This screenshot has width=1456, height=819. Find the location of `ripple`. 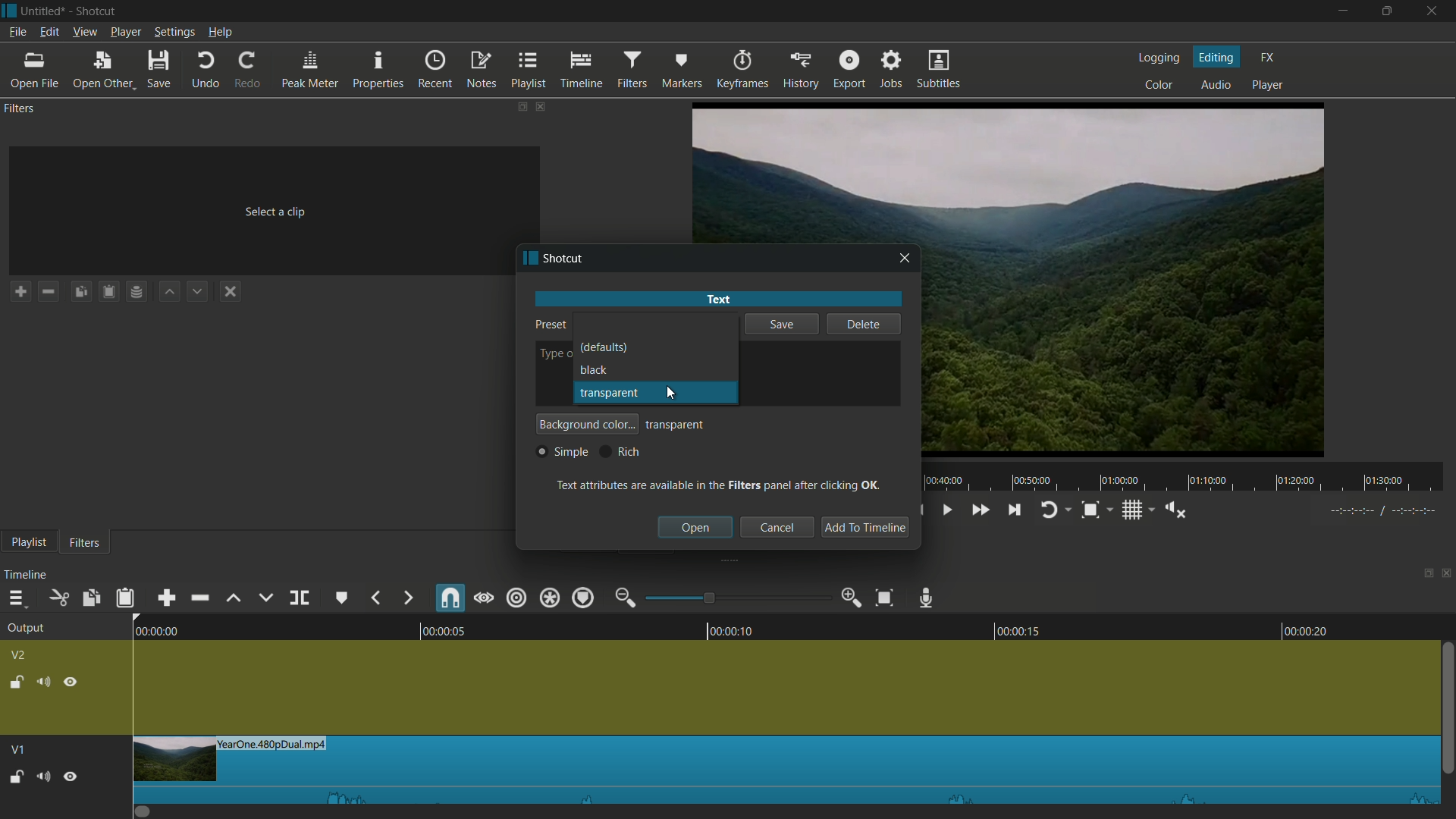

ripple is located at coordinates (518, 598).